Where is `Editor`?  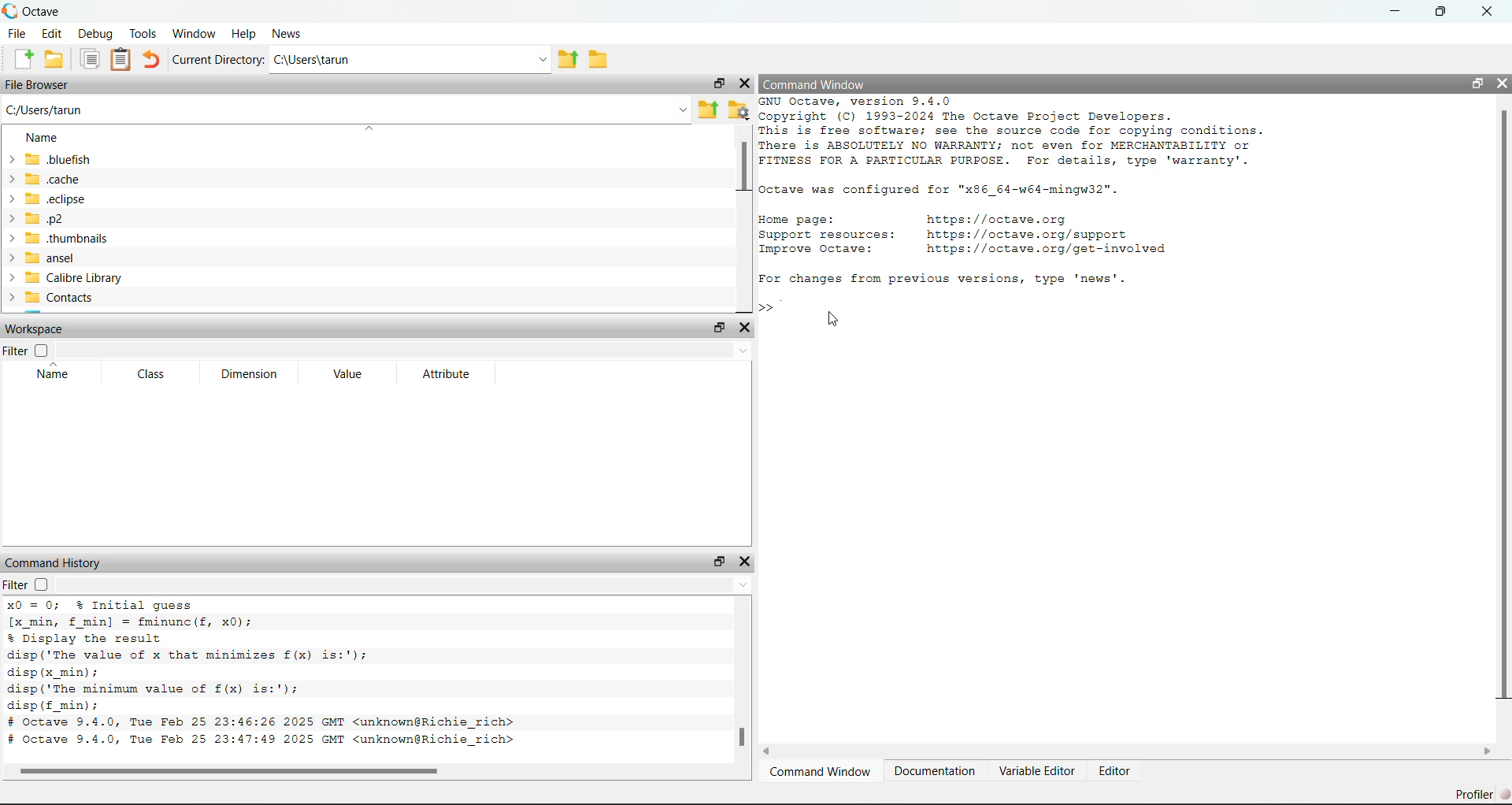 Editor is located at coordinates (1121, 770).